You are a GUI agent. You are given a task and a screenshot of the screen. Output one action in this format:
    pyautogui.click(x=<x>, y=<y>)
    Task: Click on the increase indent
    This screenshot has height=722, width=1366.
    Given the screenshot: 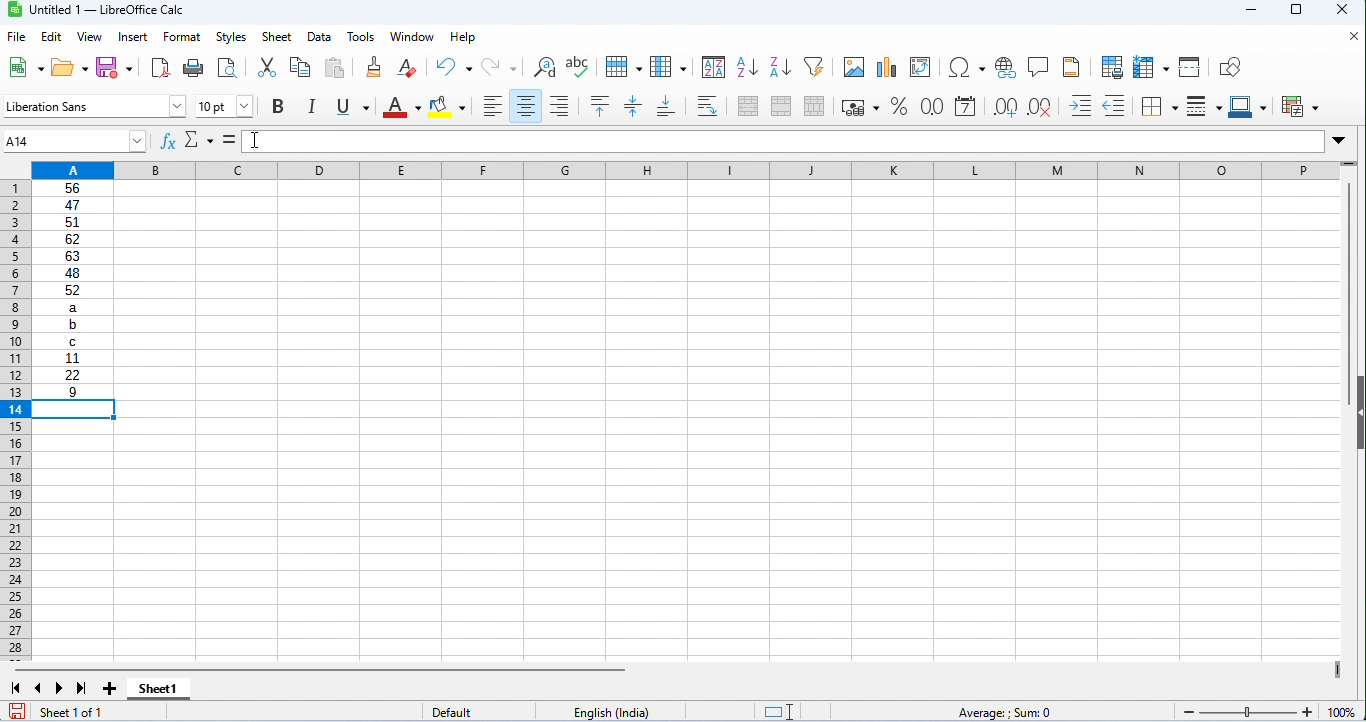 What is the action you would take?
    pyautogui.click(x=1081, y=105)
    